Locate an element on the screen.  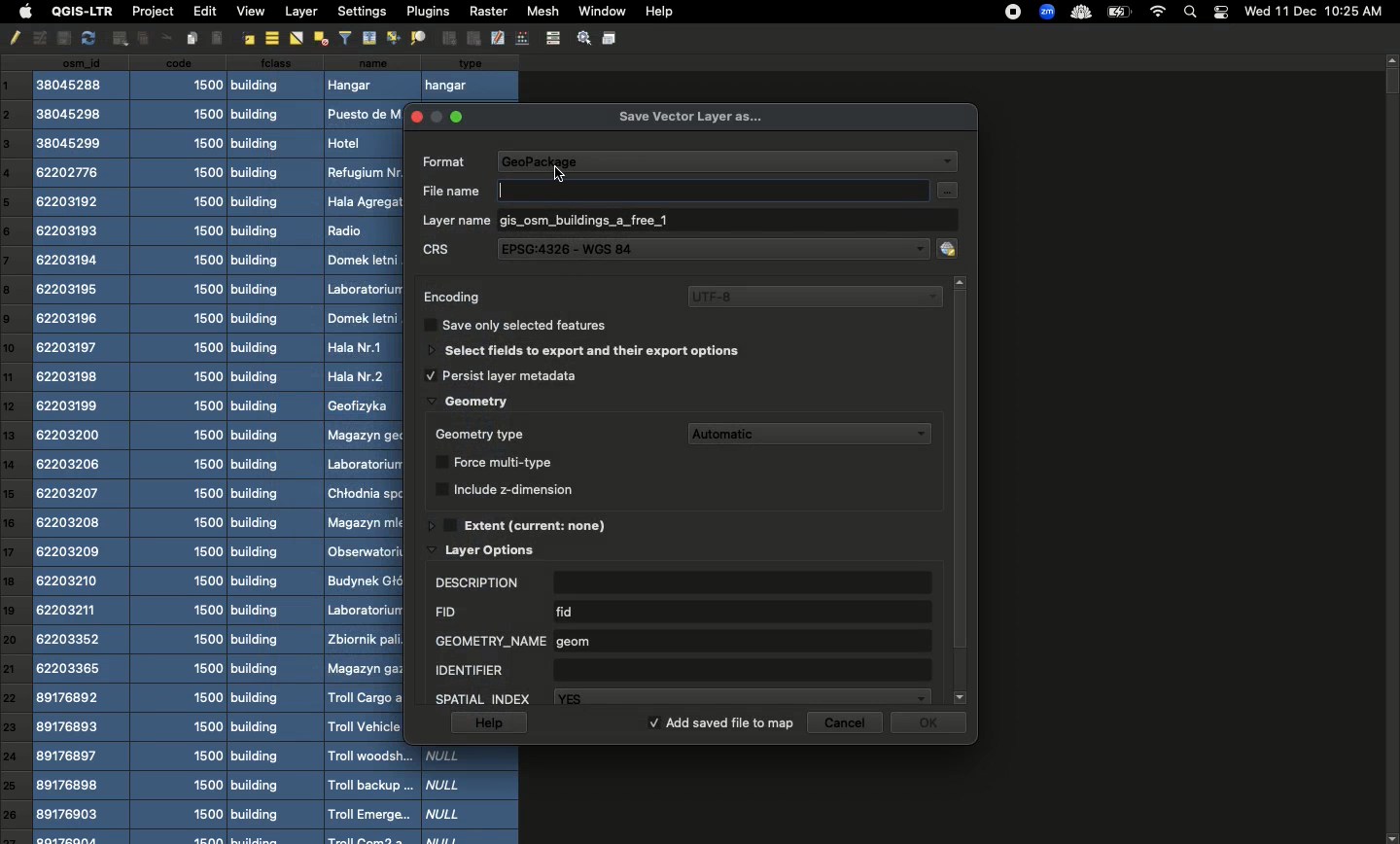
Include z-dimension is located at coordinates (517, 491).